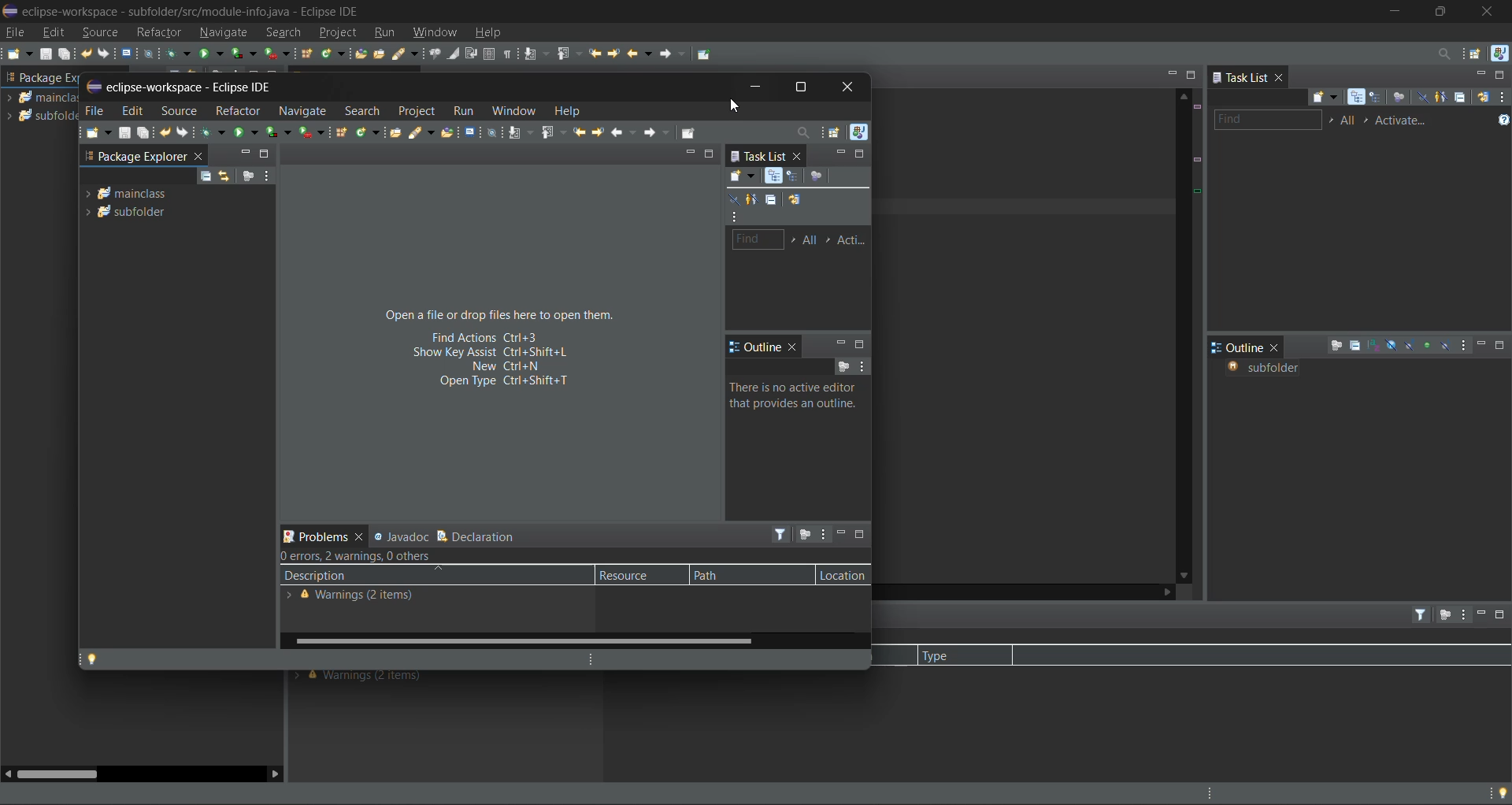 The height and width of the screenshot is (805, 1512). Describe the element at coordinates (1499, 52) in the screenshot. I see `java` at that location.